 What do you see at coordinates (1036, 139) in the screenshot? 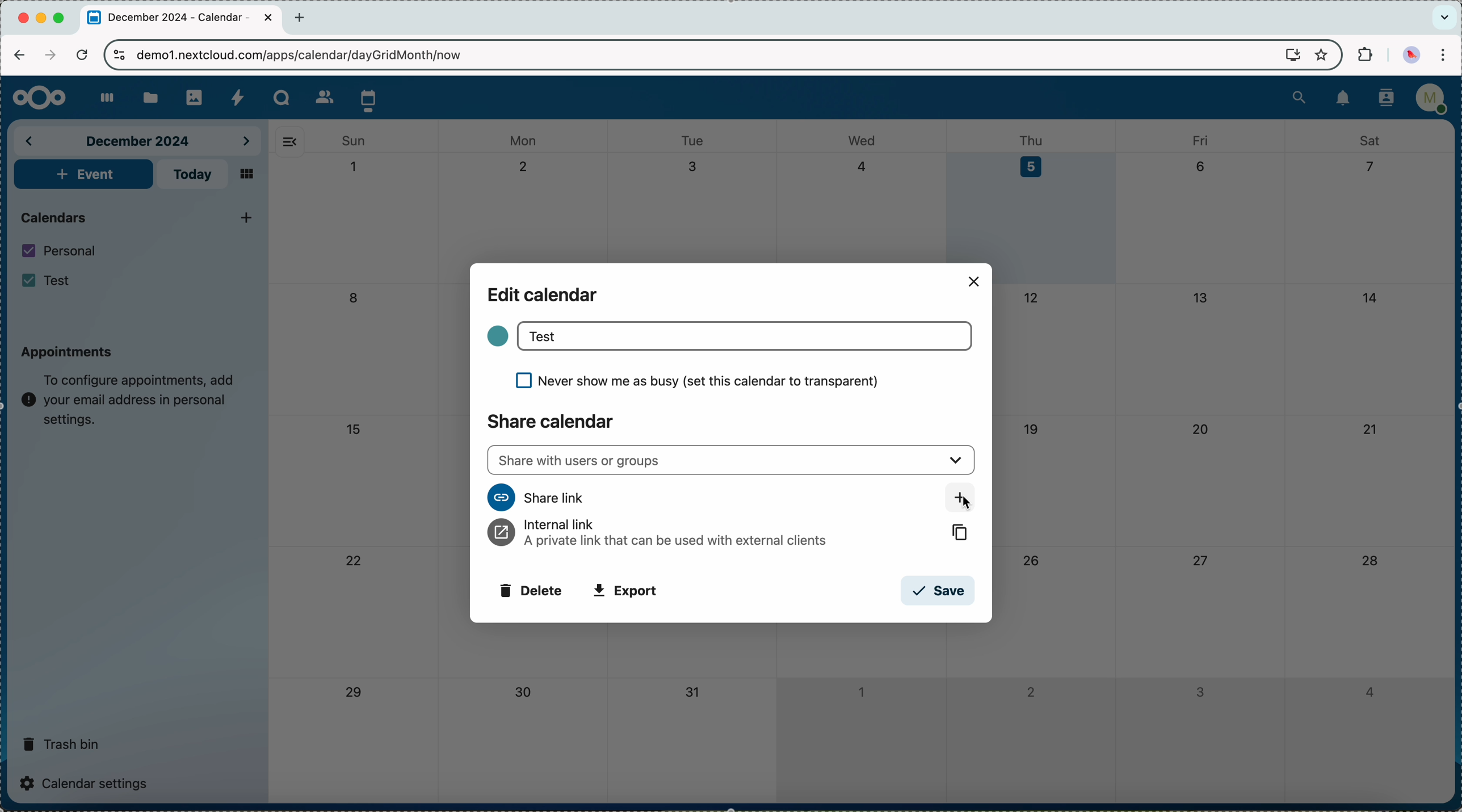
I see `thu` at bounding box center [1036, 139].